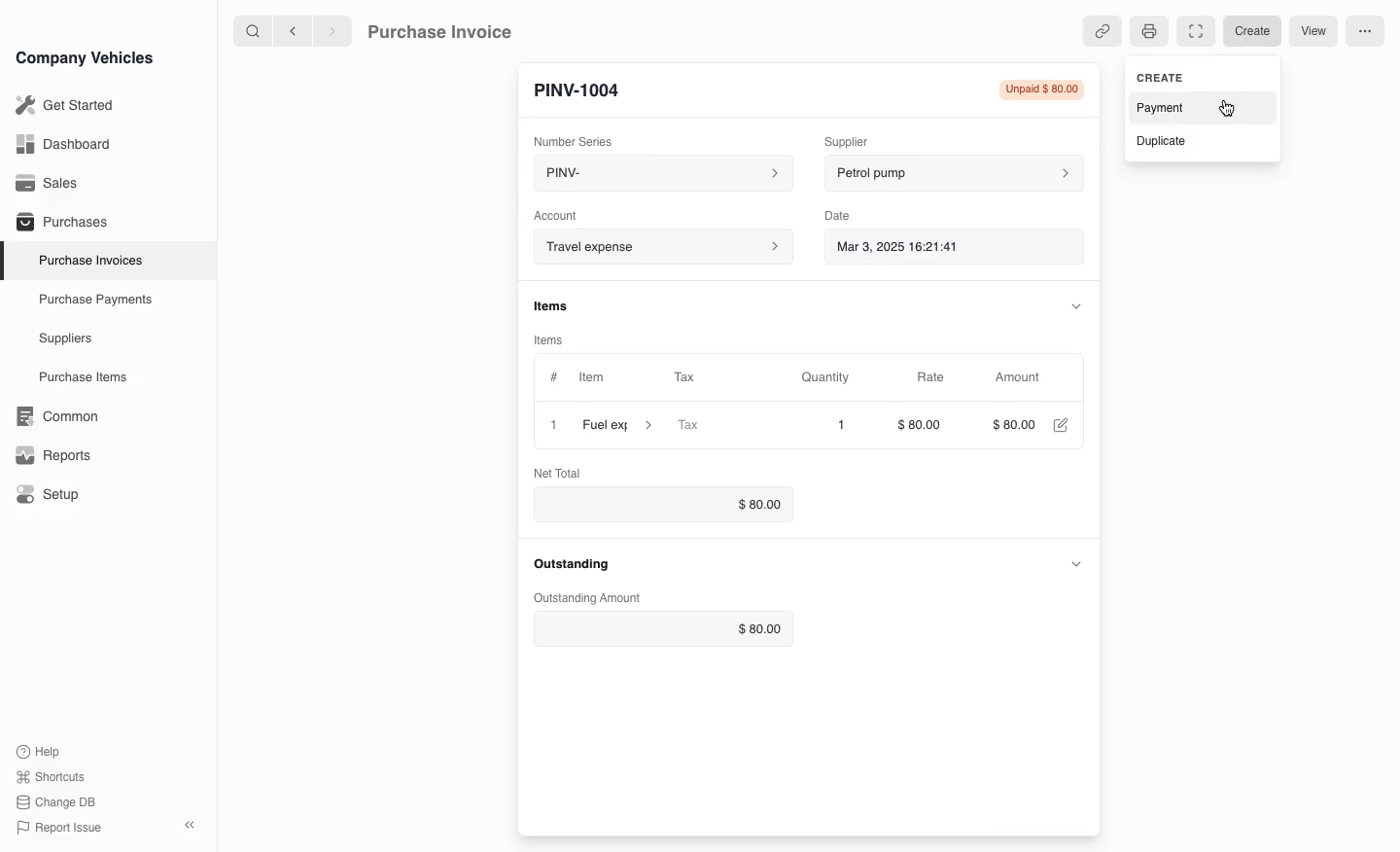 Image resolution: width=1400 pixels, height=852 pixels. What do you see at coordinates (576, 565) in the screenshot?
I see `Outstanding` at bounding box center [576, 565].